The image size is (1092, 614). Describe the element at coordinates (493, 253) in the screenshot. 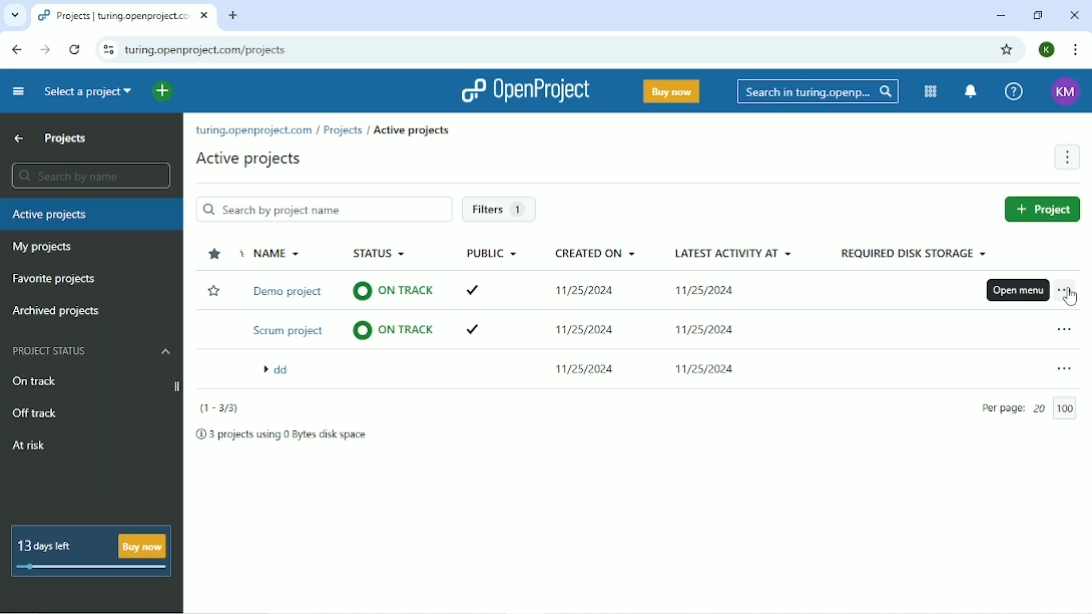

I see `Public` at that location.